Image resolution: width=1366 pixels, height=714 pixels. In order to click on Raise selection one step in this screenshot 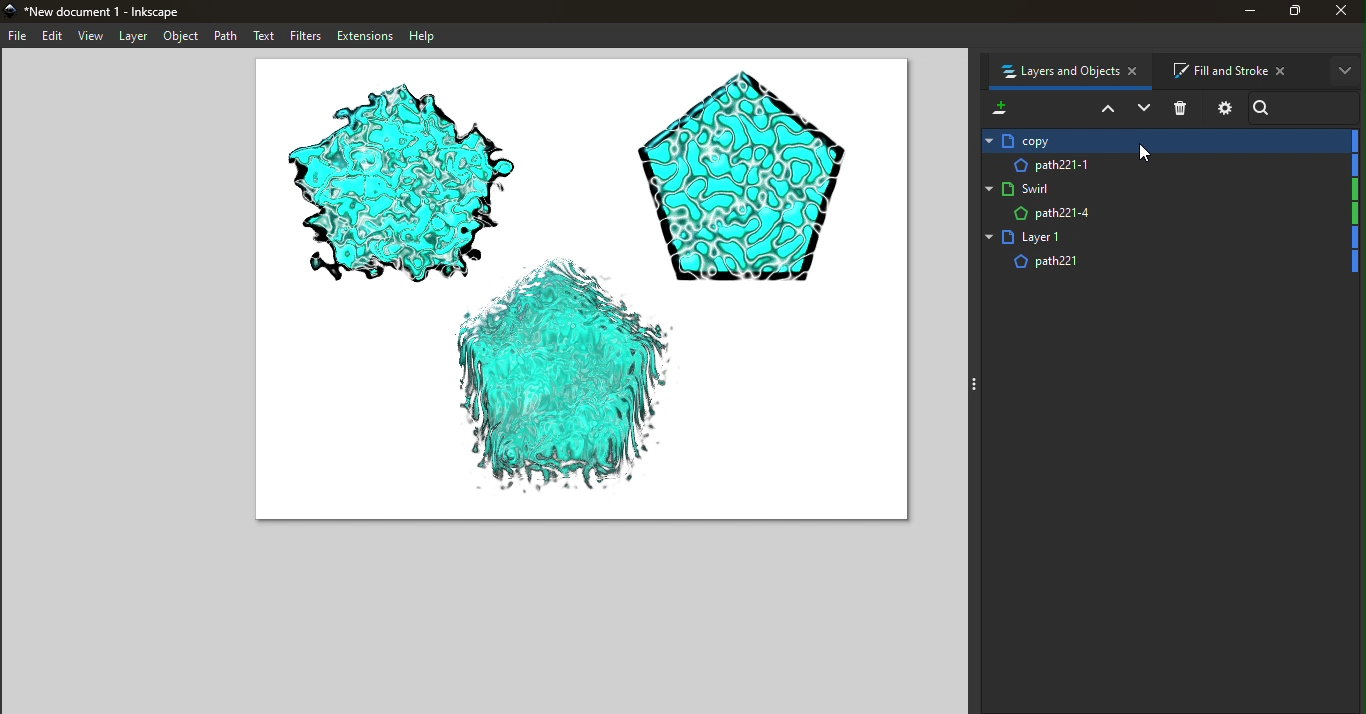, I will do `click(1105, 111)`.